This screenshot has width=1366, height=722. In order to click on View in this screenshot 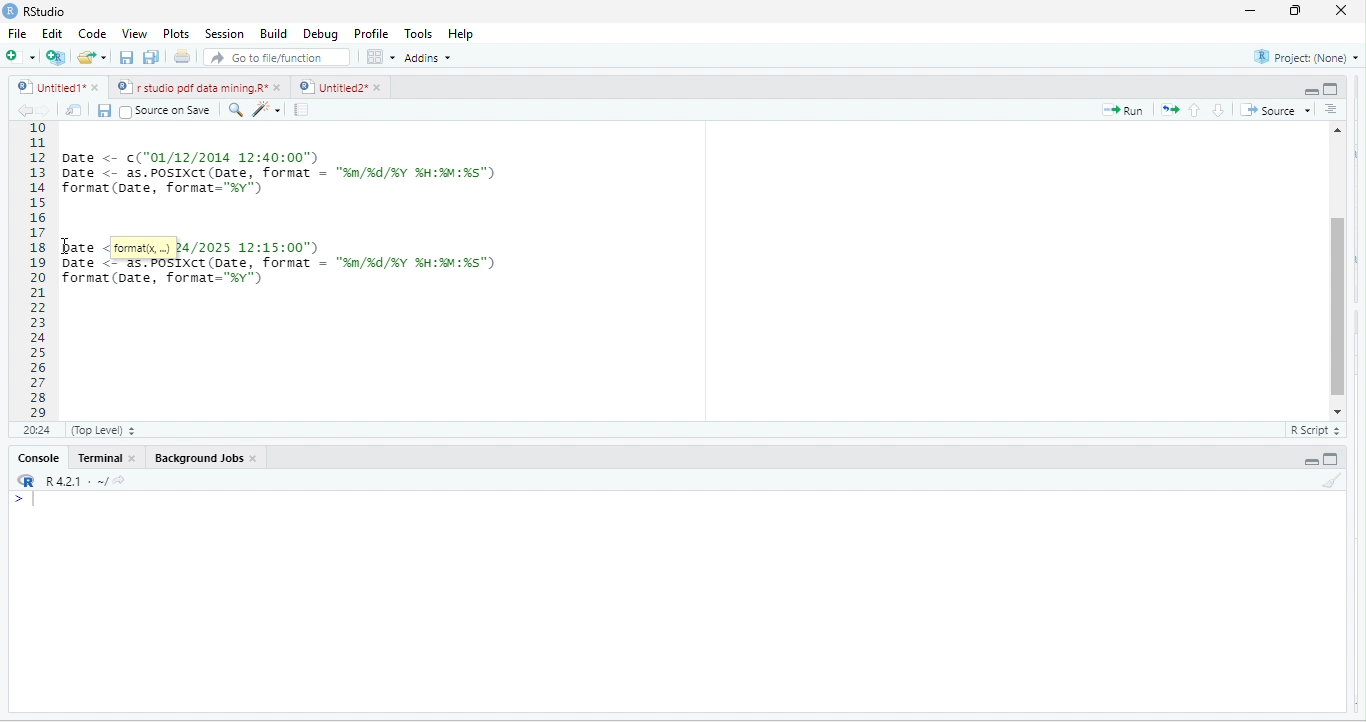, I will do `click(134, 33)`.